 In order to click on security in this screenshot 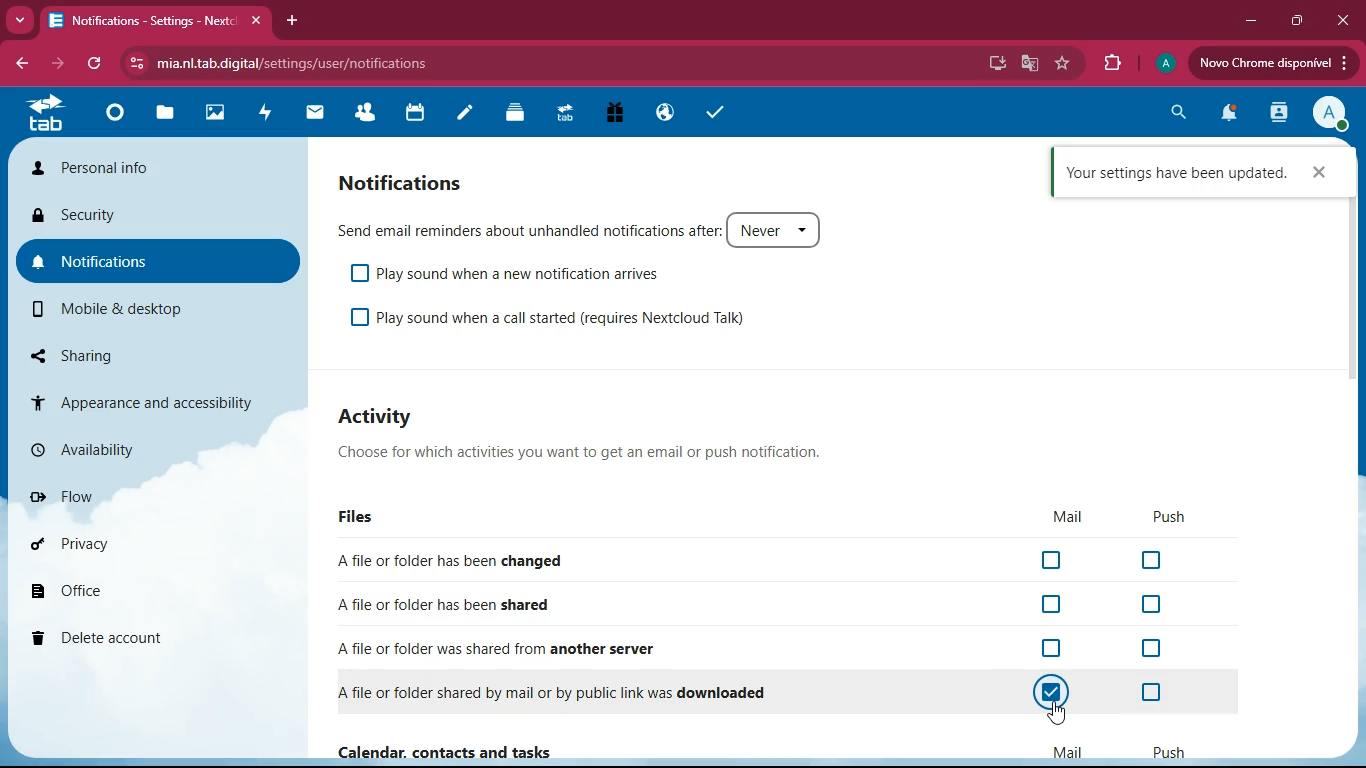, I will do `click(155, 212)`.